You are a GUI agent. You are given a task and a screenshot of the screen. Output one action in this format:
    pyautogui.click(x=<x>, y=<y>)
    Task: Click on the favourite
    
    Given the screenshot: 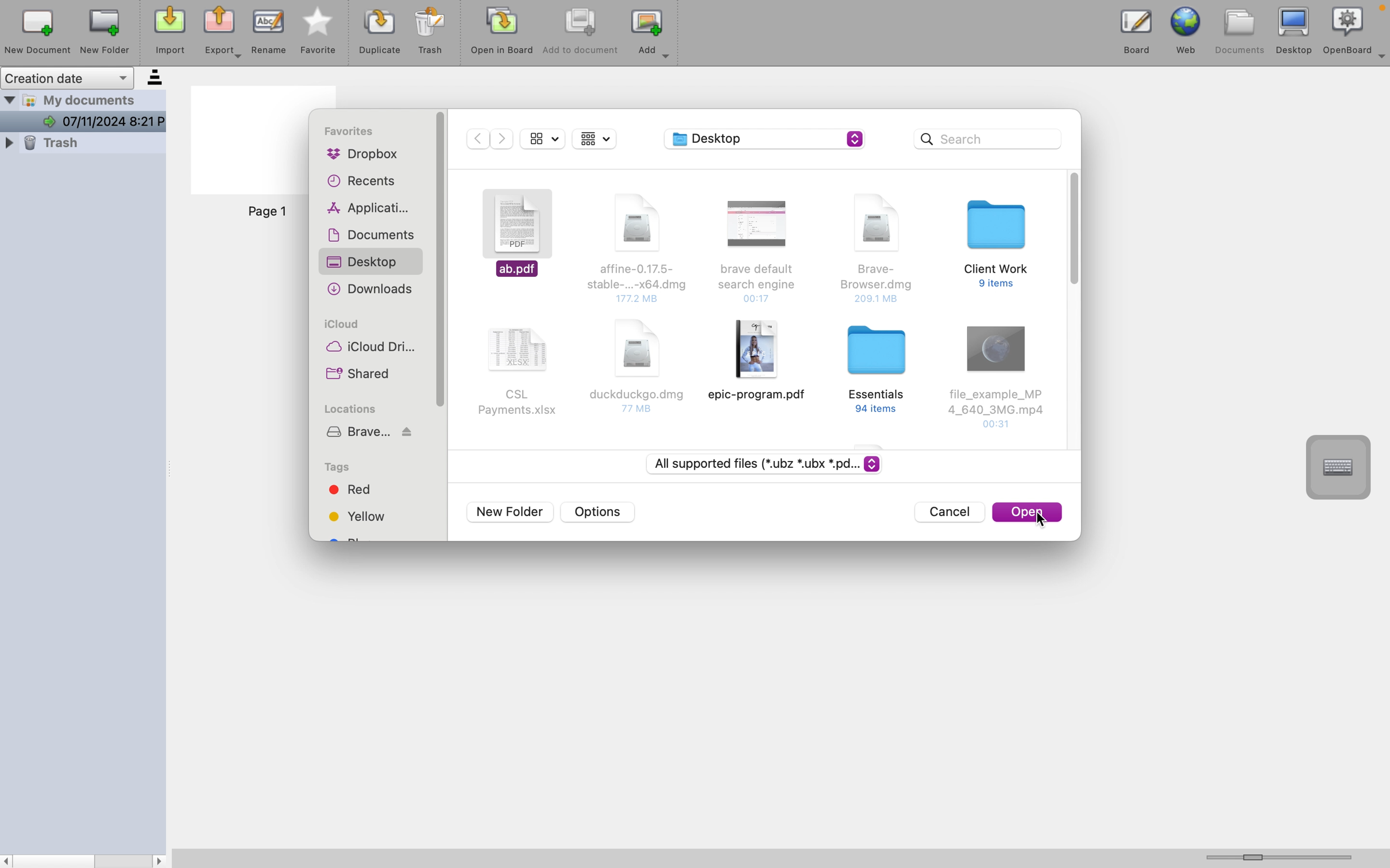 What is the action you would take?
    pyautogui.click(x=319, y=33)
    